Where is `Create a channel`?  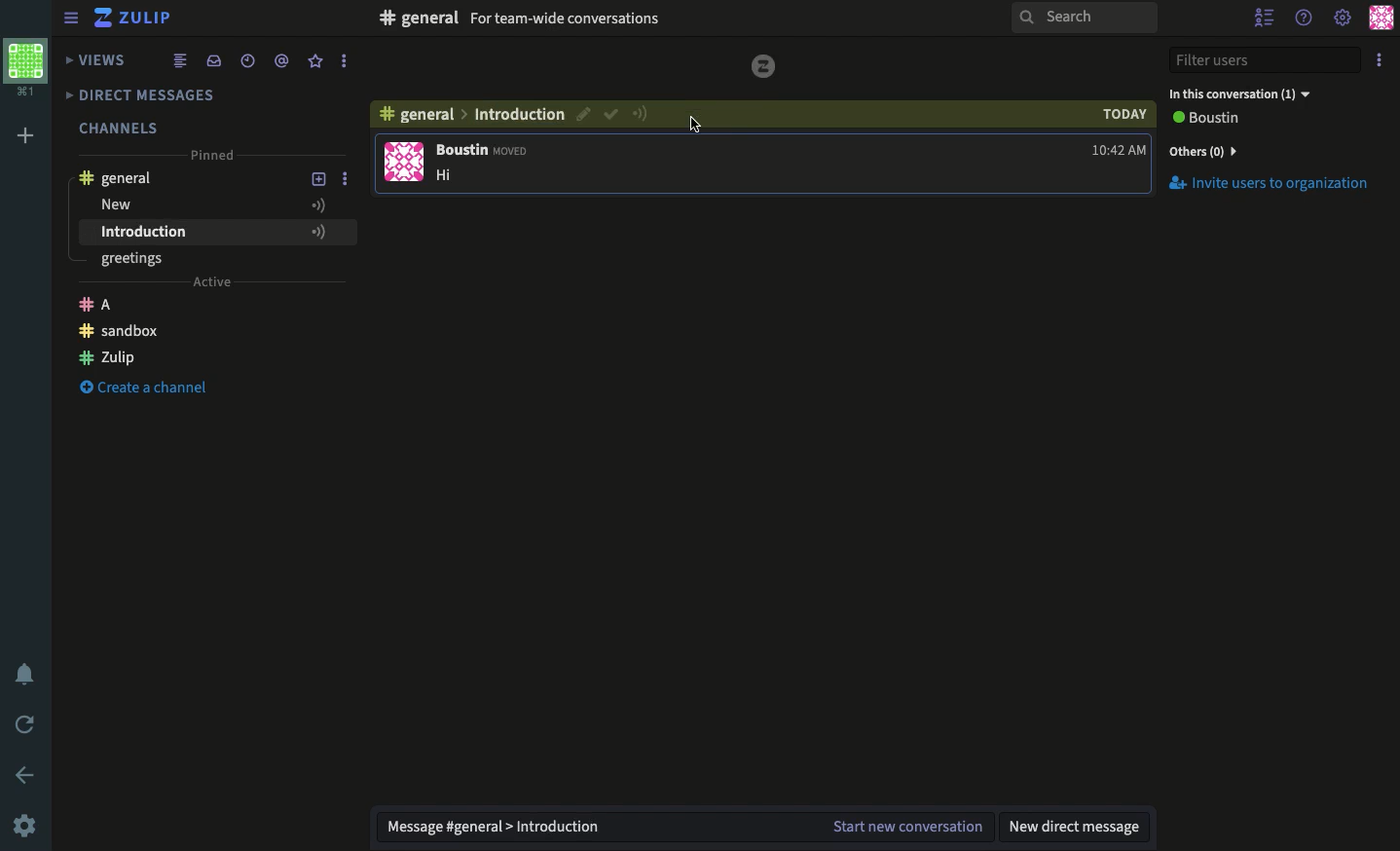 Create a channel is located at coordinates (144, 333).